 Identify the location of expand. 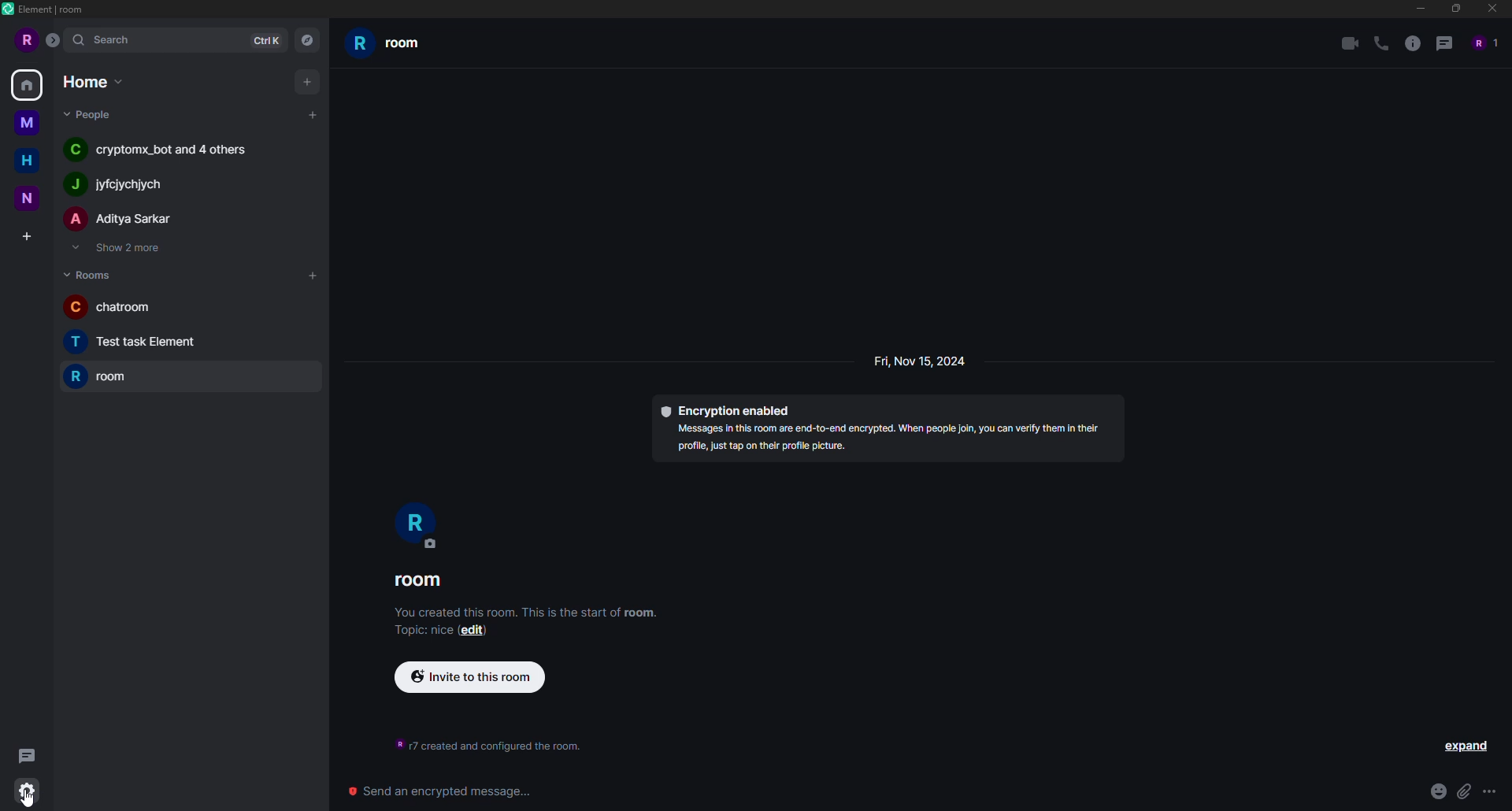
(1469, 746).